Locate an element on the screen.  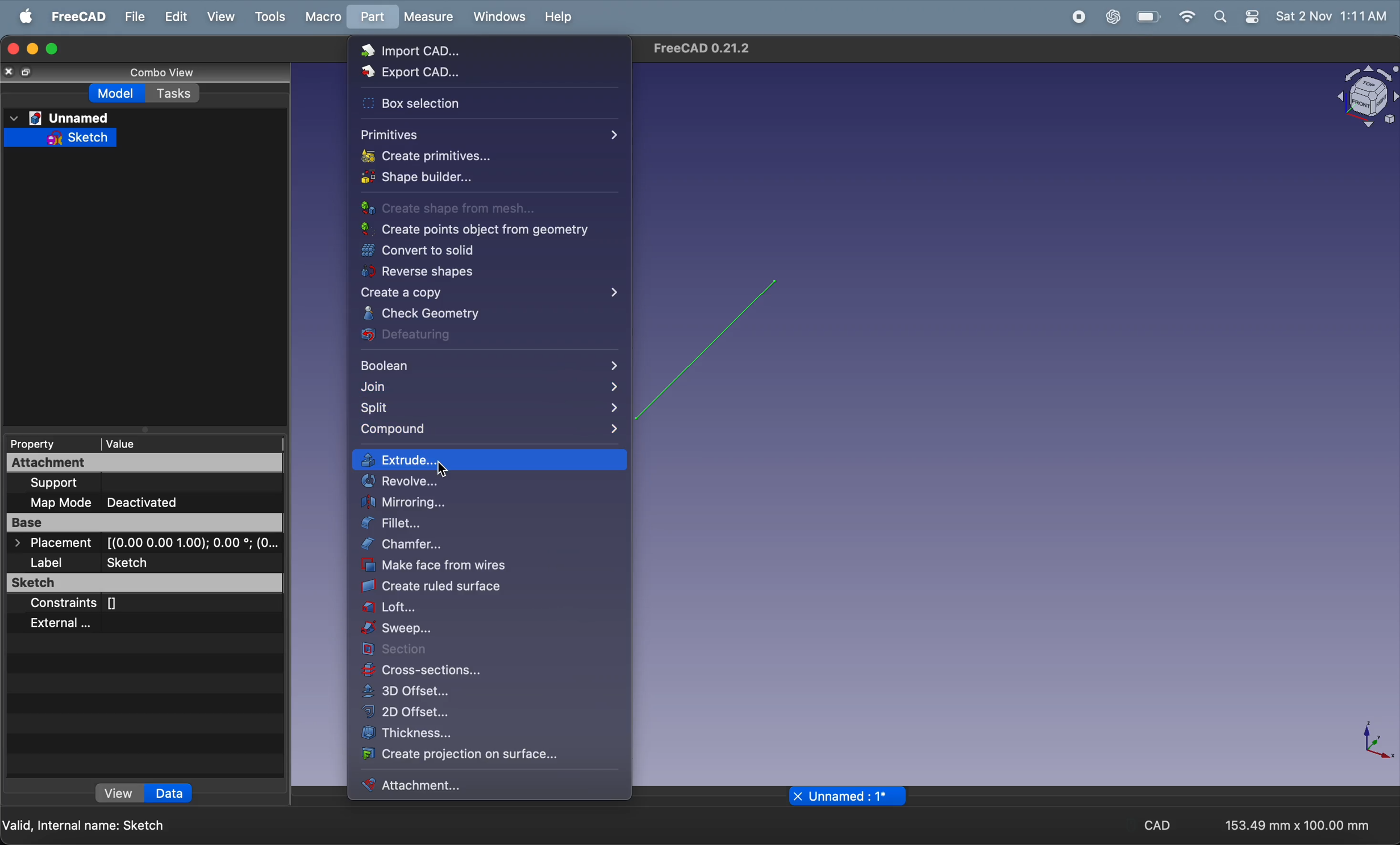
property is located at coordinates (48, 444).